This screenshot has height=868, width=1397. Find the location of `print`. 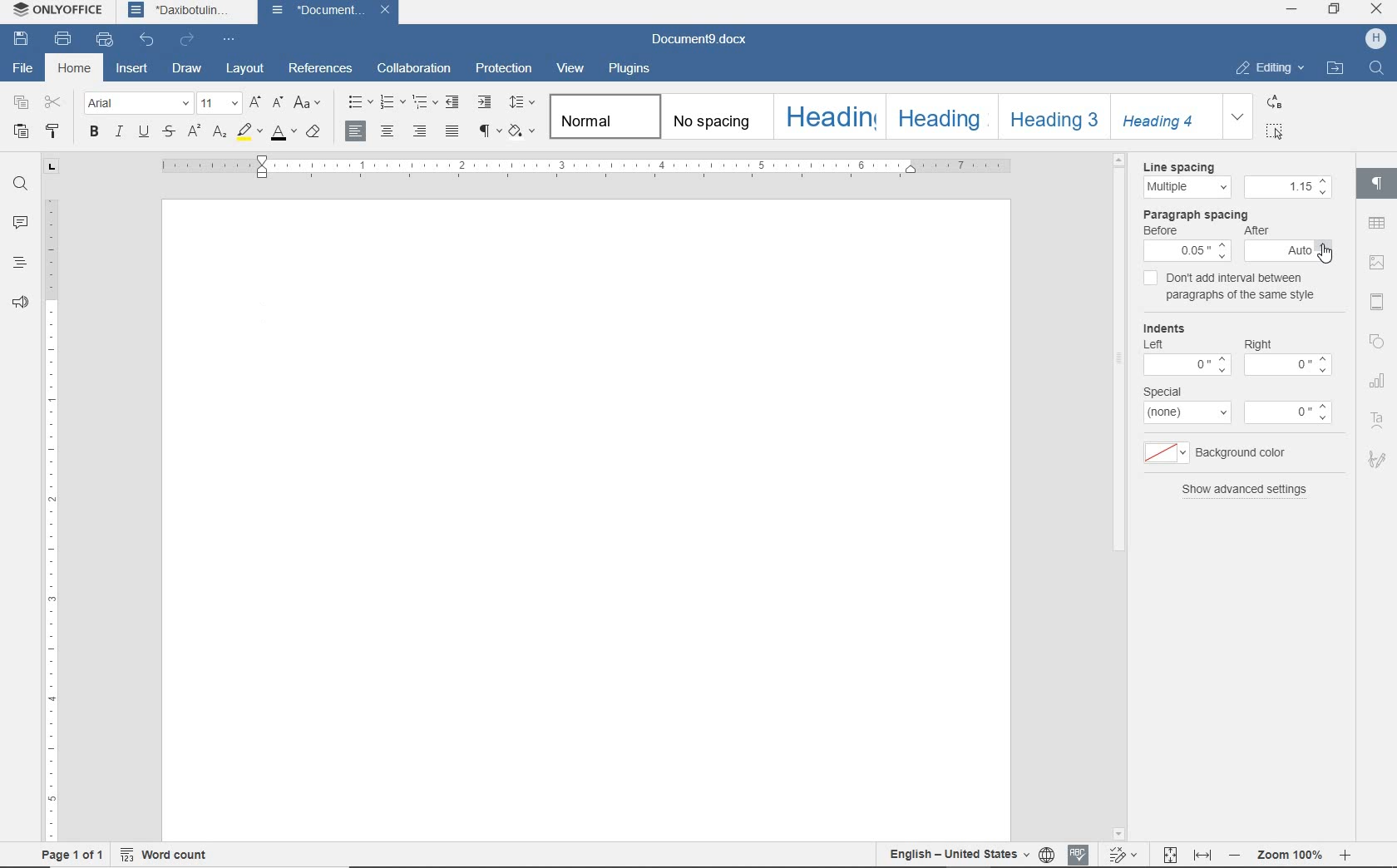

print is located at coordinates (67, 40).